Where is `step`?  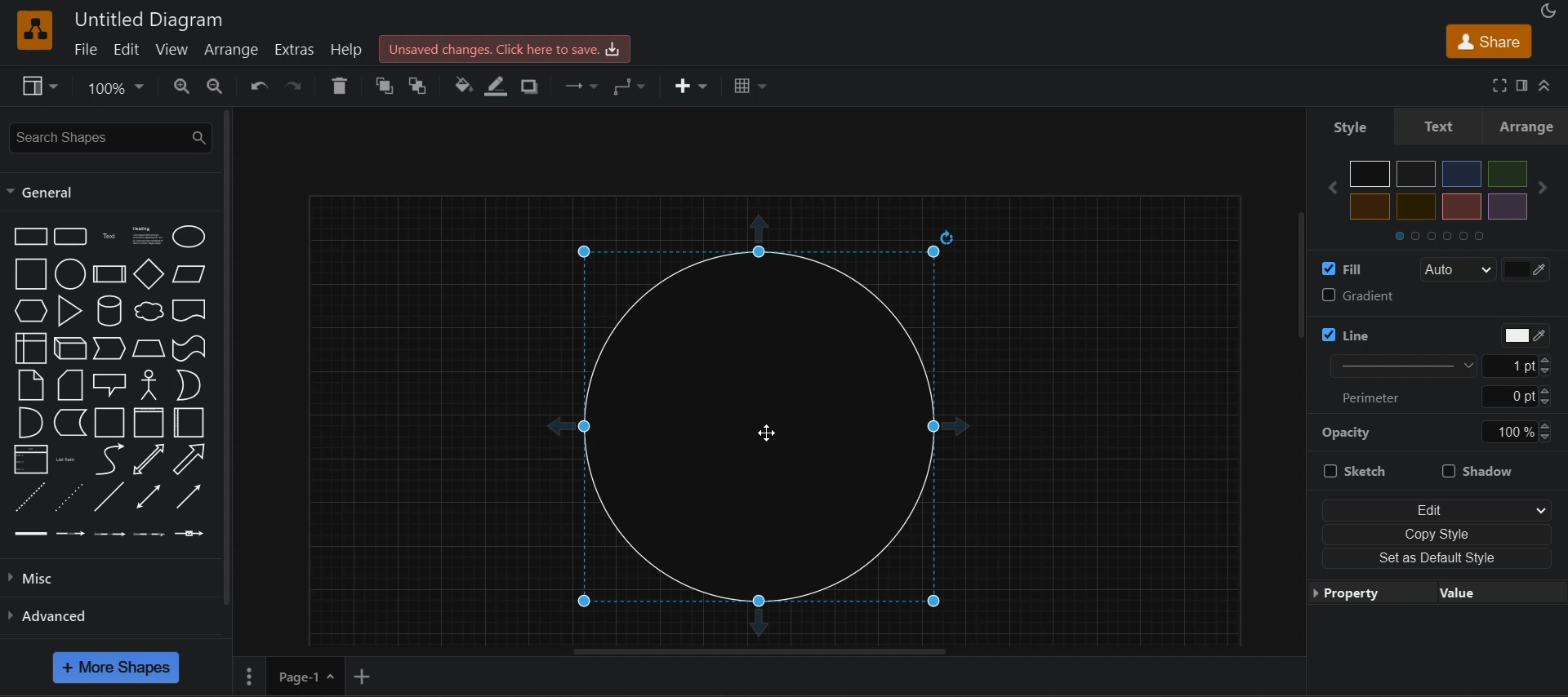 step is located at coordinates (108, 352).